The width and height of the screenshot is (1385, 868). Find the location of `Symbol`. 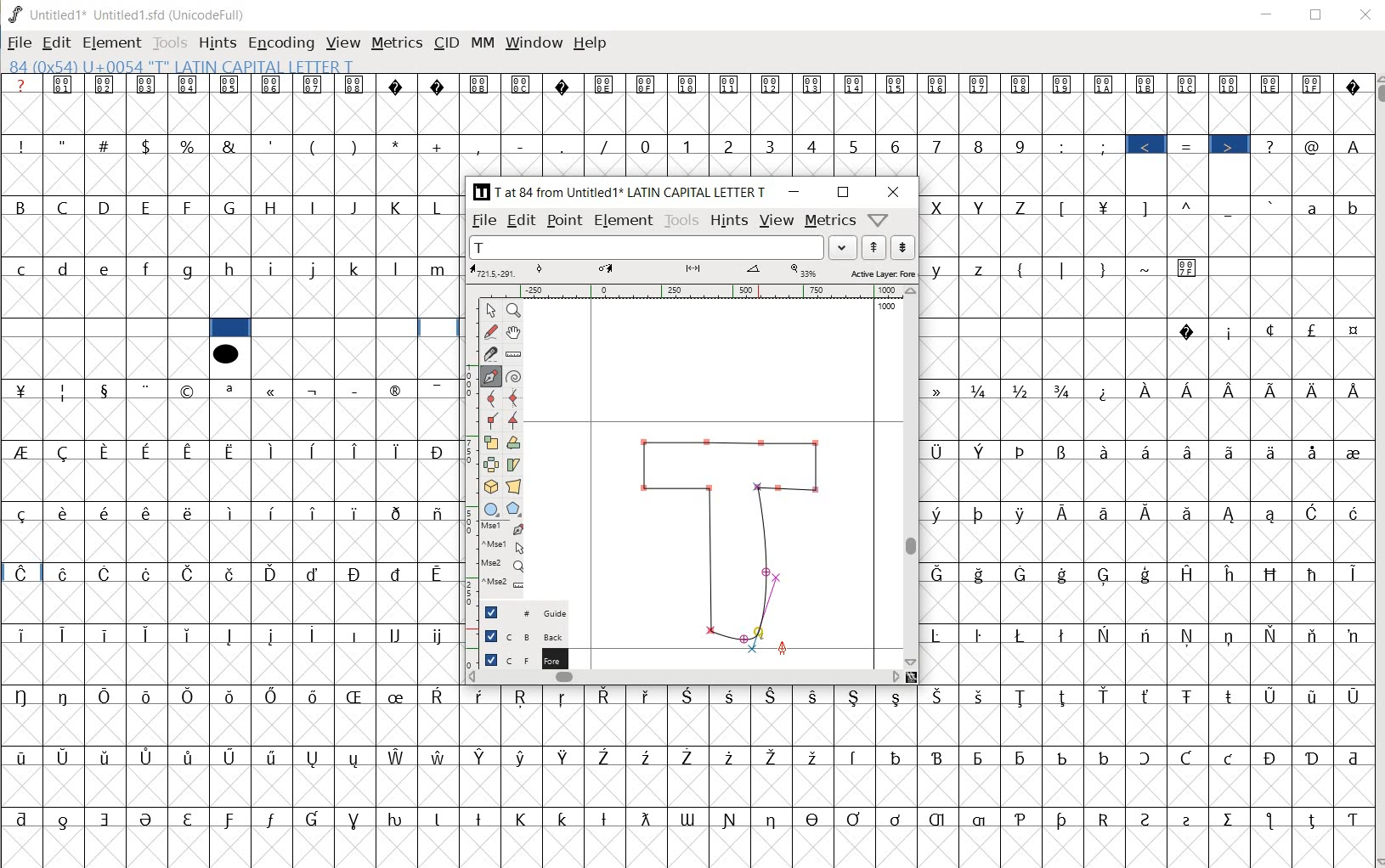

Symbol is located at coordinates (1313, 330).